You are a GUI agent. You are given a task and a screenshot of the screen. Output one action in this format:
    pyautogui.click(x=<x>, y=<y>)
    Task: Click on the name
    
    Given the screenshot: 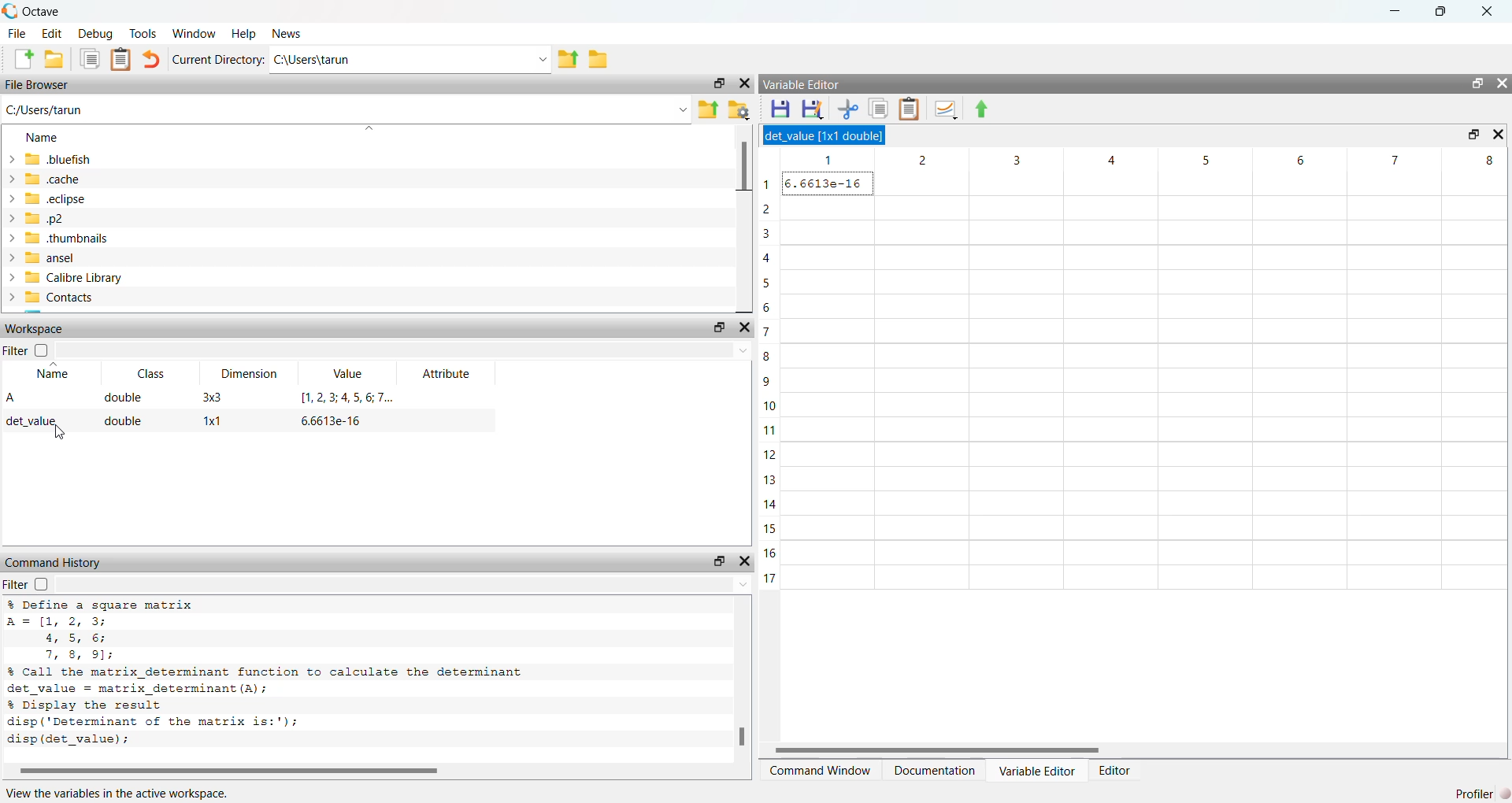 What is the action you would take?
    pyautogui.click(x=48, y=139)
    